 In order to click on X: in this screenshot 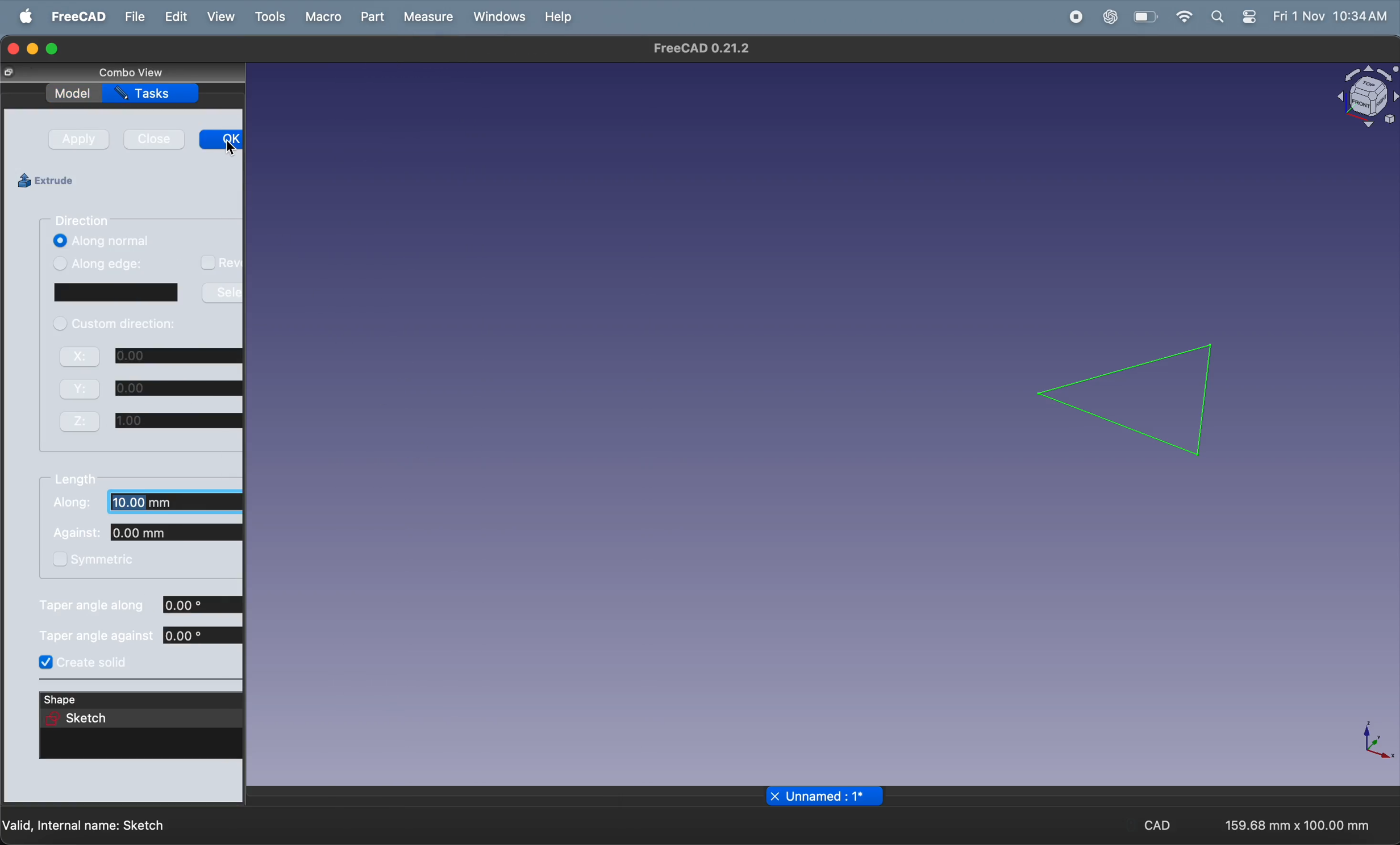, I will do `click(82, 357)`.